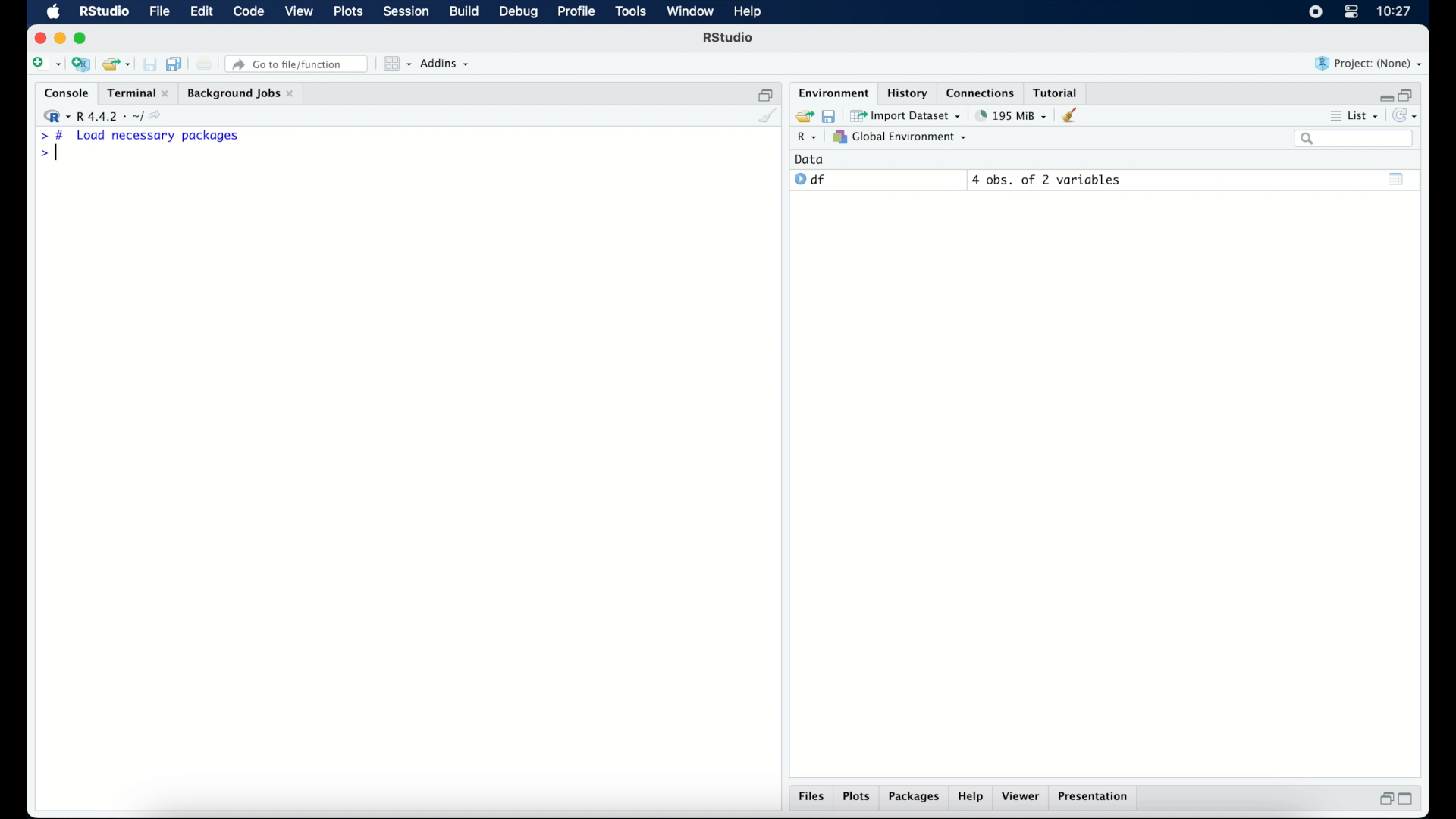 This screenshot has height=819, width=1456. I want to click on edit, so click(200, 12).